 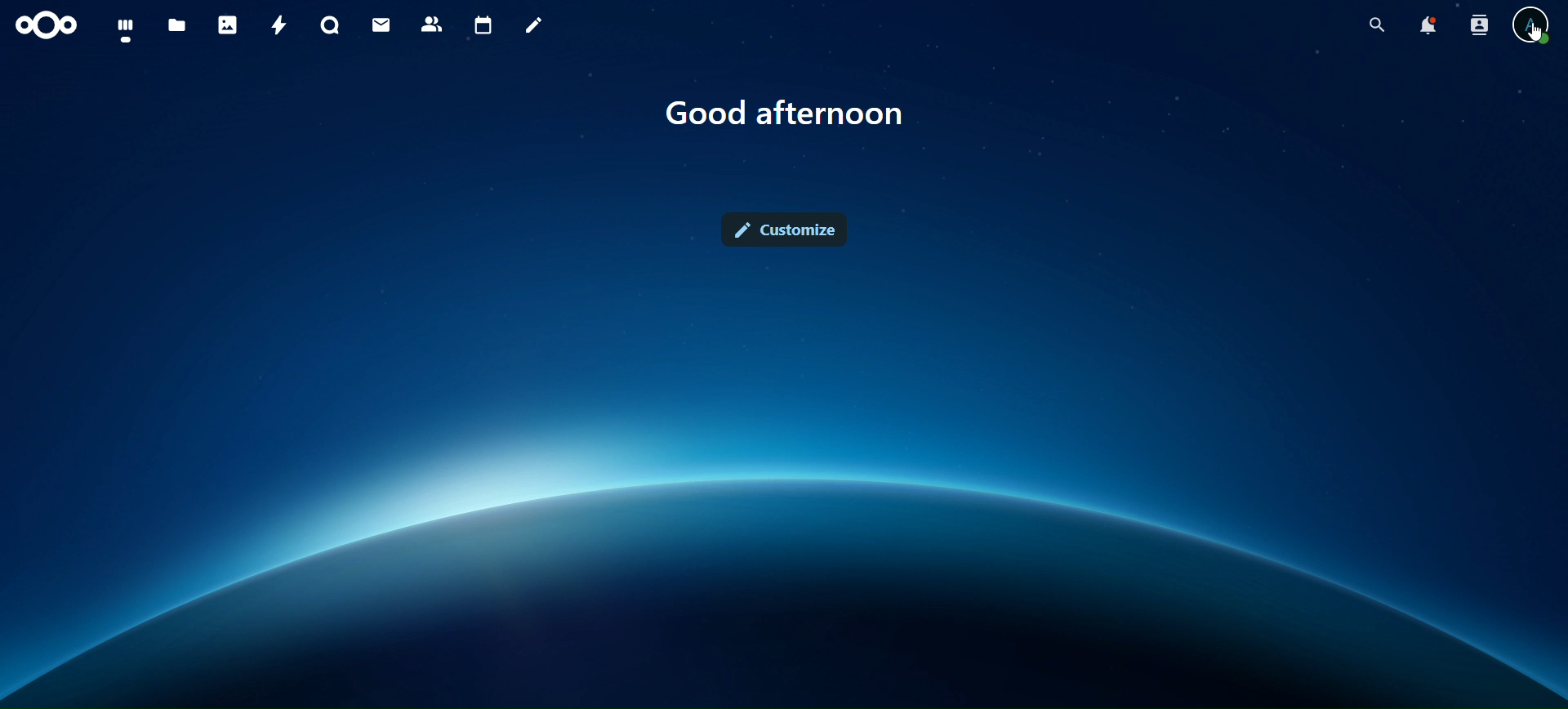 I want to click on notes, so click(x=537, y=26).